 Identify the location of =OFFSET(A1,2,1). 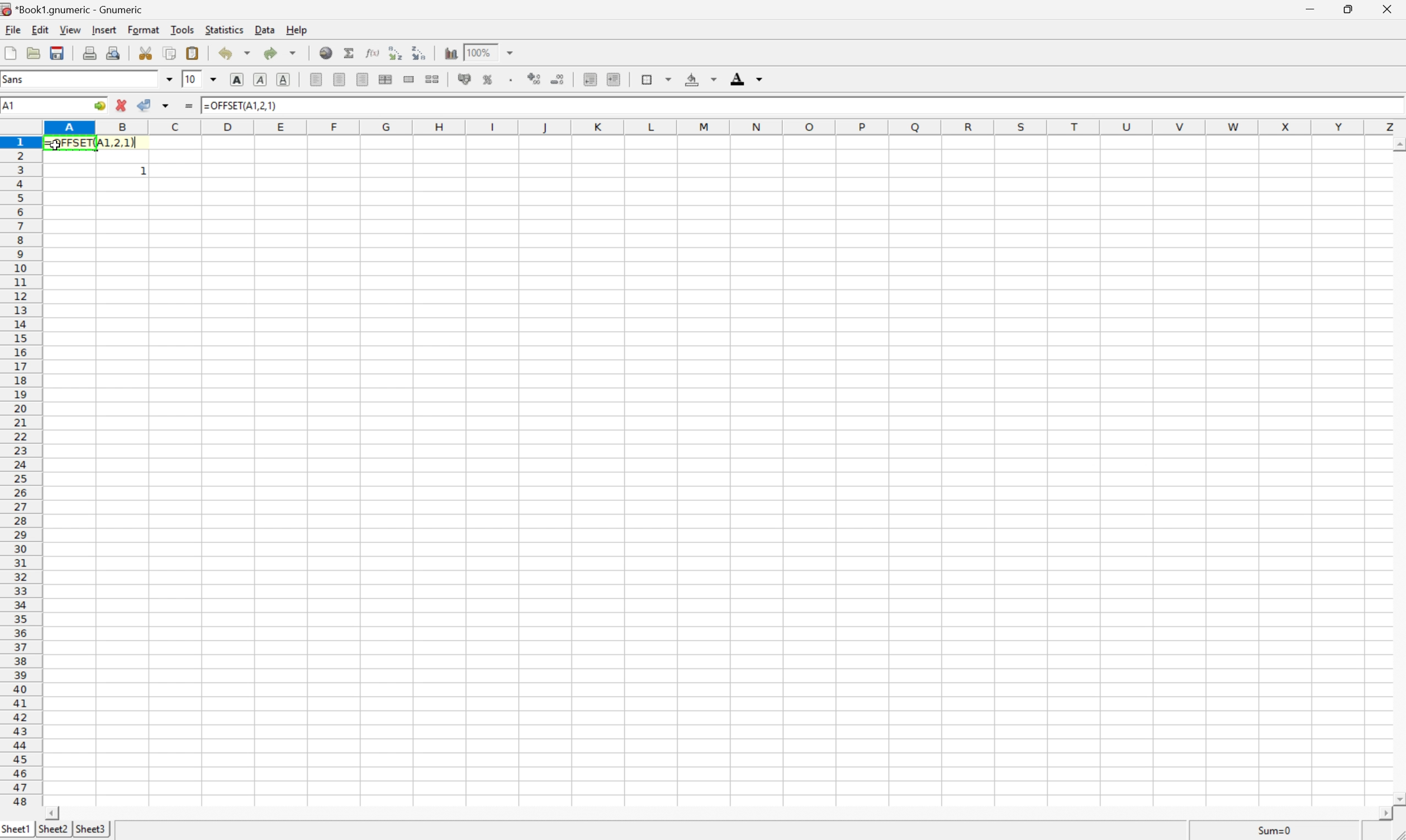
(243, 105).